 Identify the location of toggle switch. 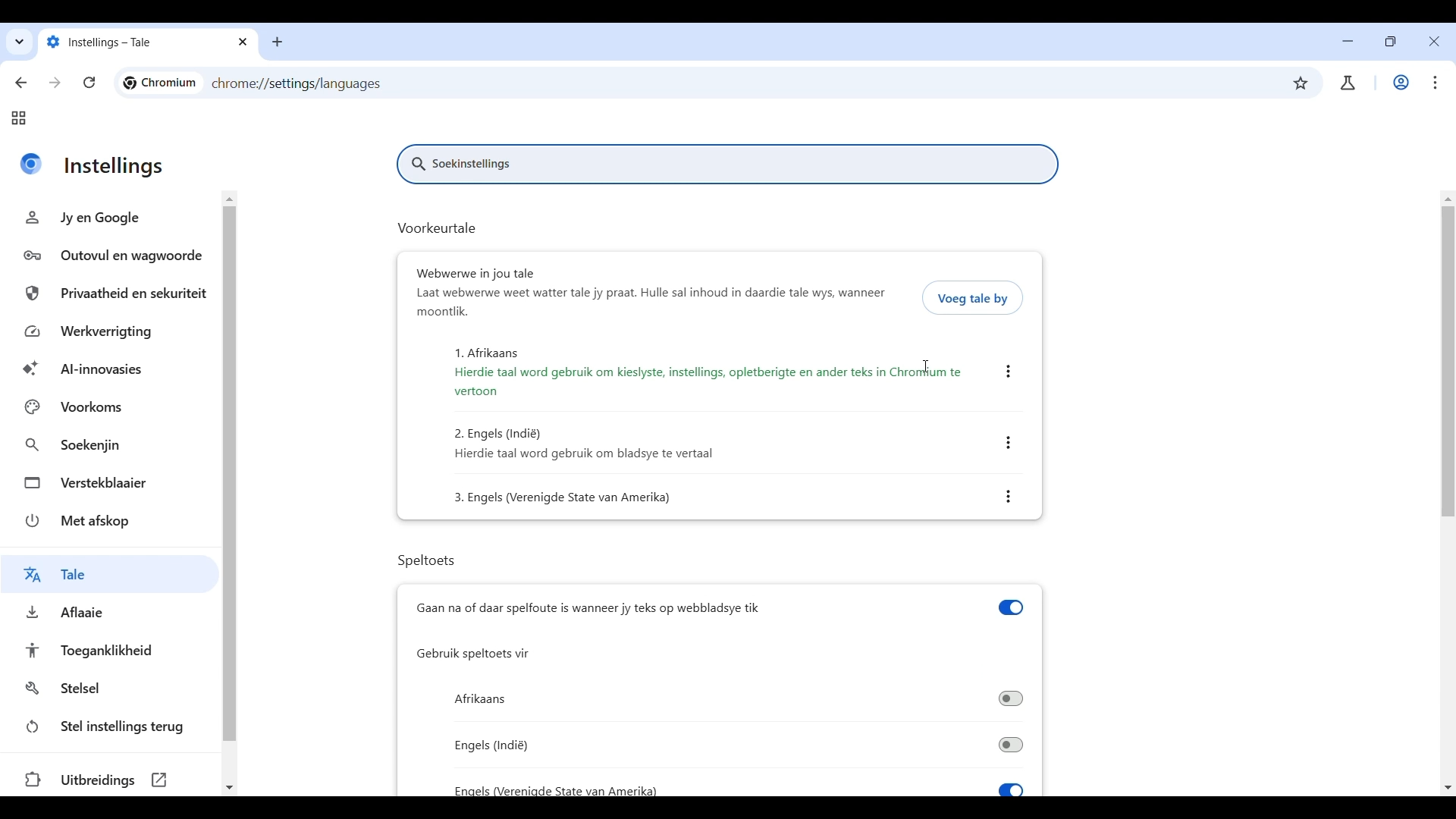
(1000, 743).